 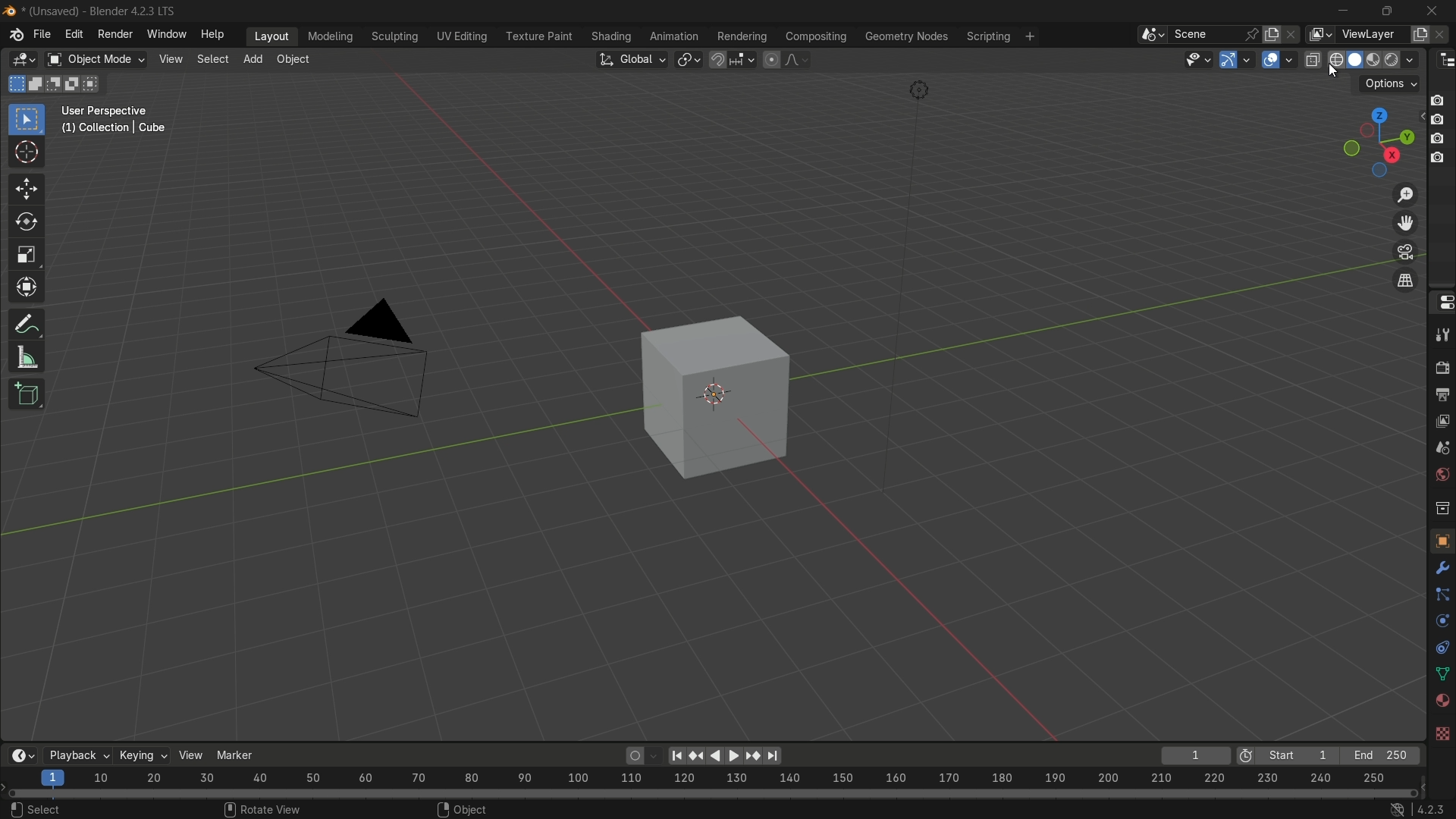 I want to click on cursor, so click(x=29, y=152).